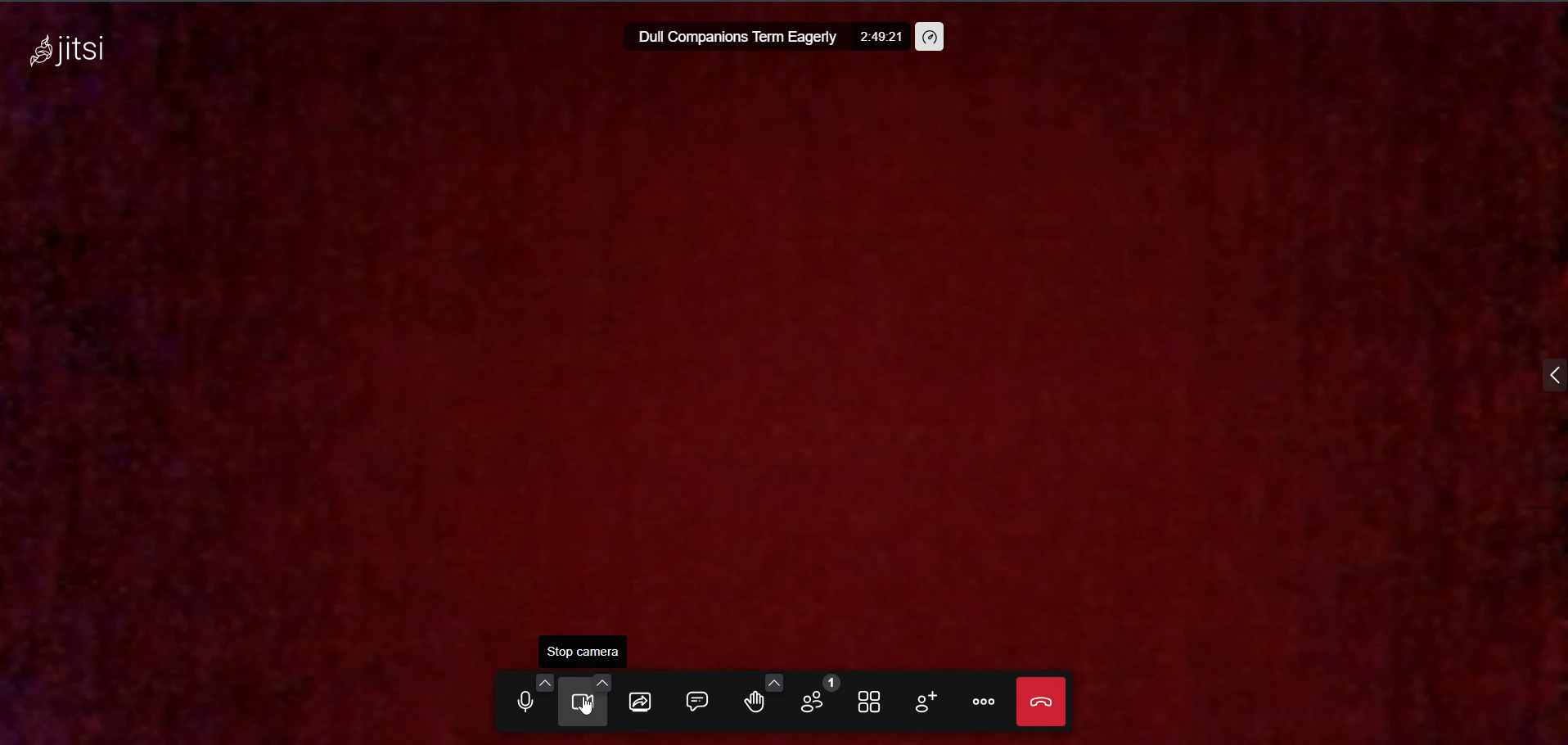 This screenshot has height=745, width=1568. What do you see at coordinates (920, 701) in the screenshot?
I see `invite people` at bounding box center [920, 701].